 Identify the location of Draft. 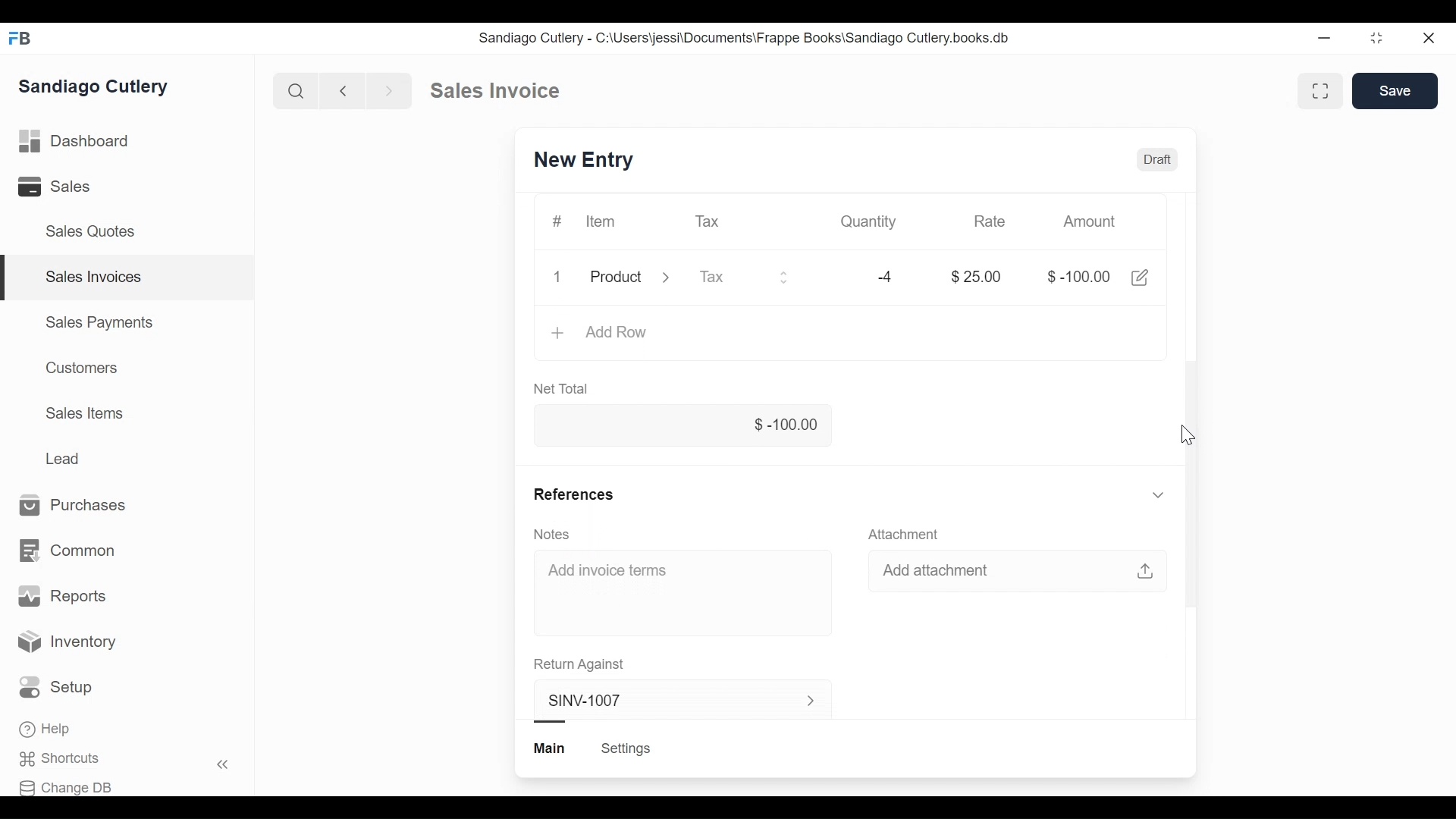
(1157, 159).